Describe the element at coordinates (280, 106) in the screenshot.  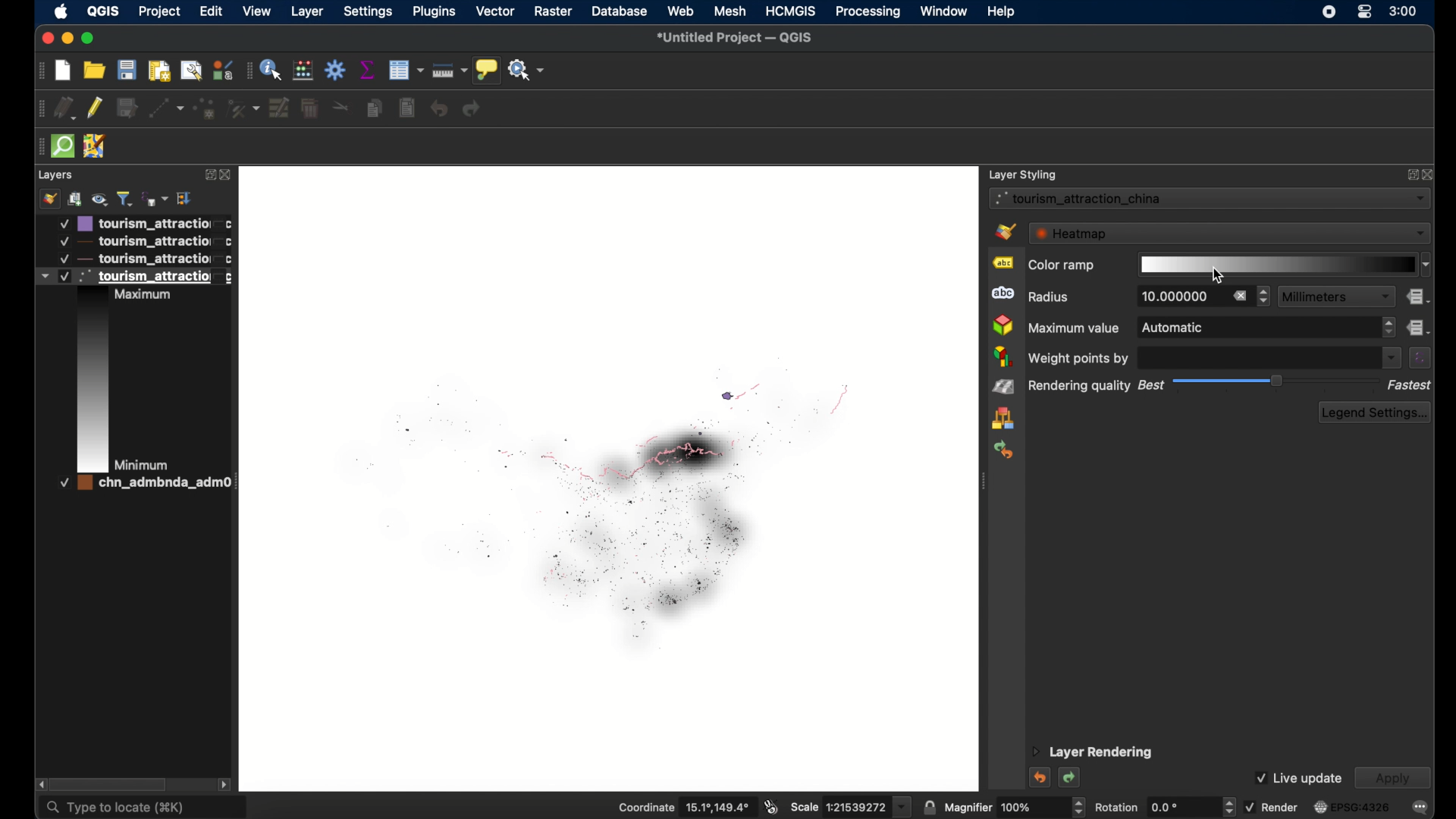
I see `modify attributes` at that location.